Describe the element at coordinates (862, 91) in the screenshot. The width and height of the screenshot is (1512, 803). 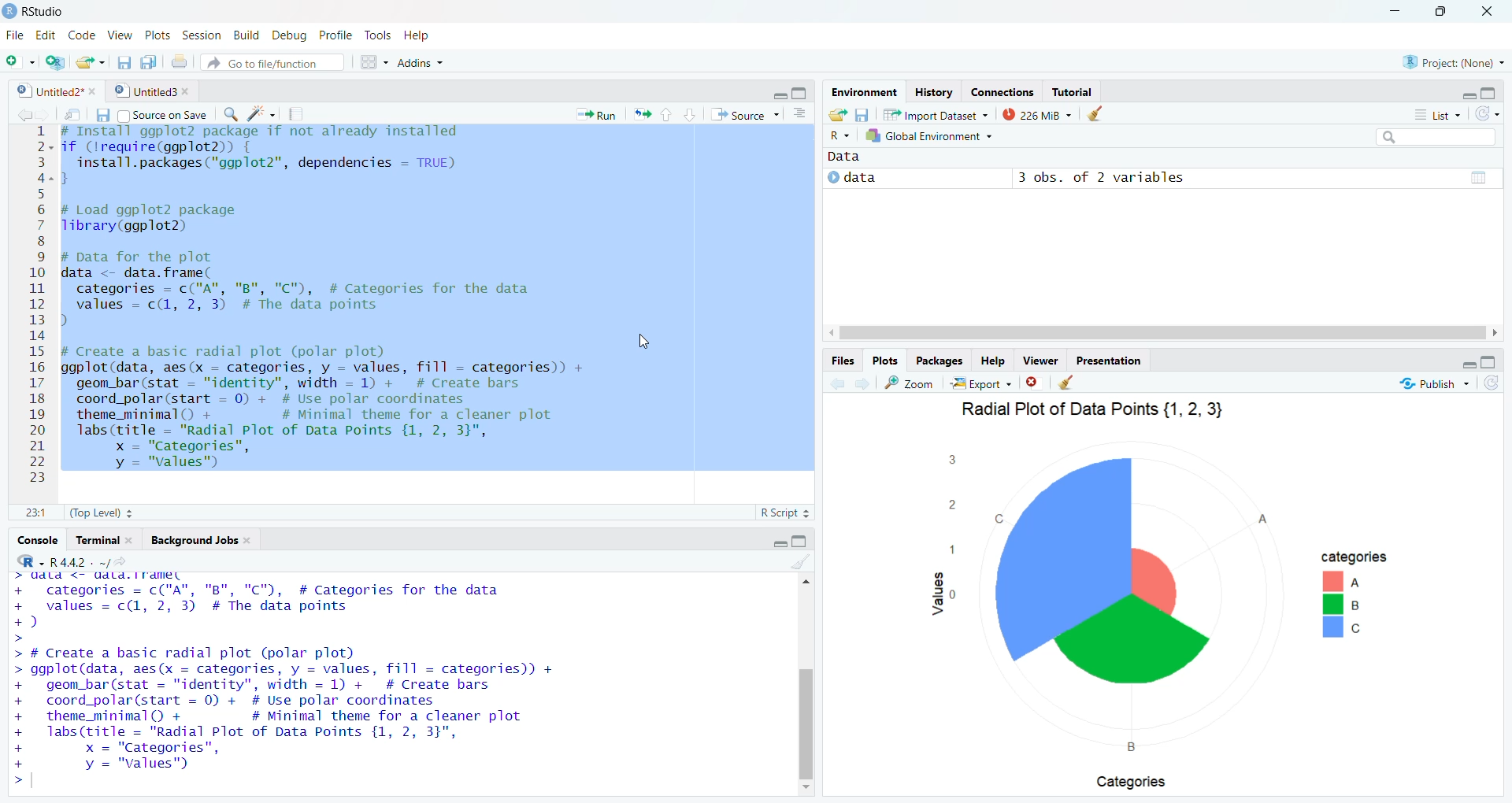
I see `Environment` at that location.